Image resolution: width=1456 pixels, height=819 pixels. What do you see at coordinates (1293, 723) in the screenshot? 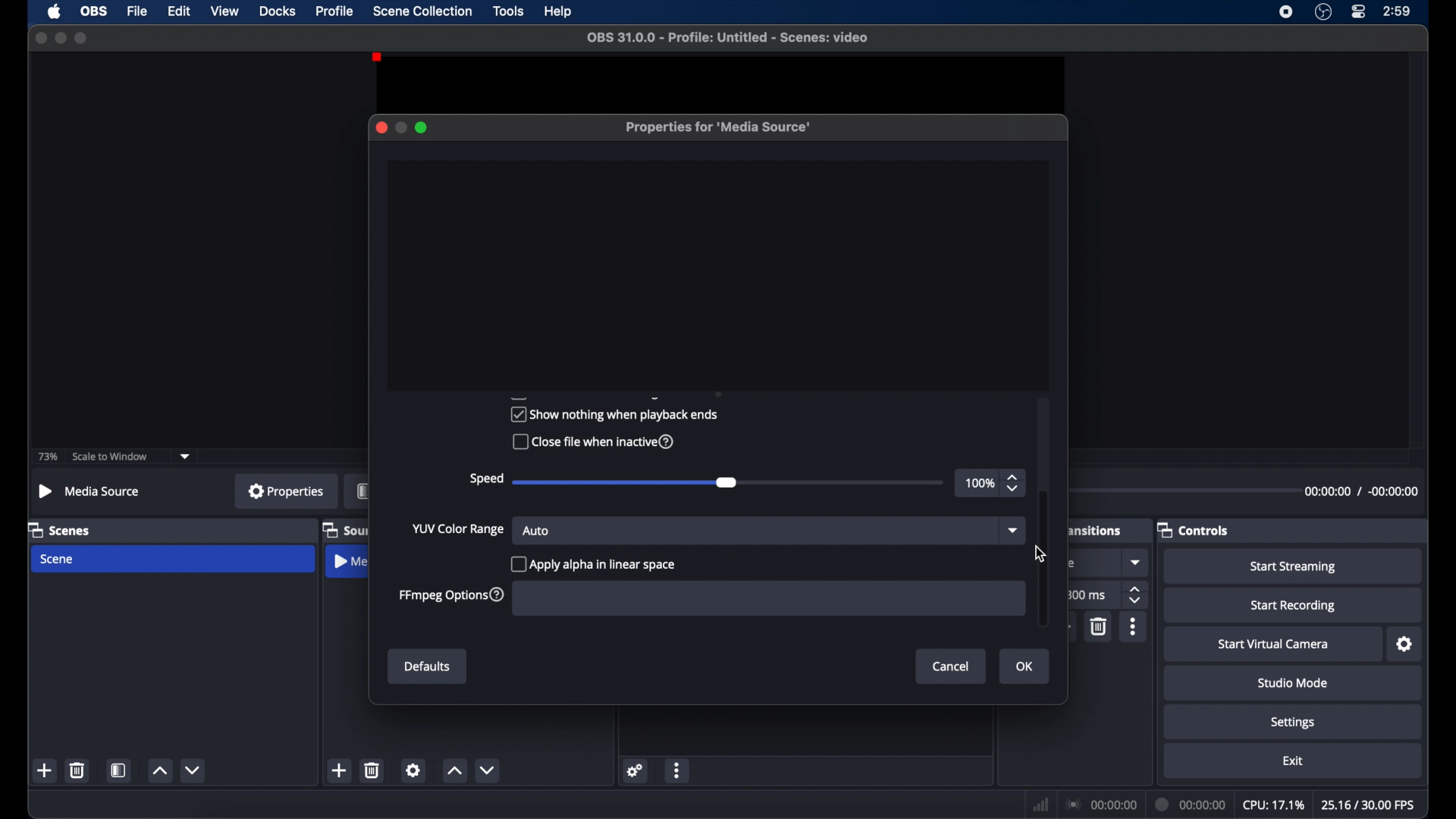
I see `settings` at bounding box center [1293, 723].